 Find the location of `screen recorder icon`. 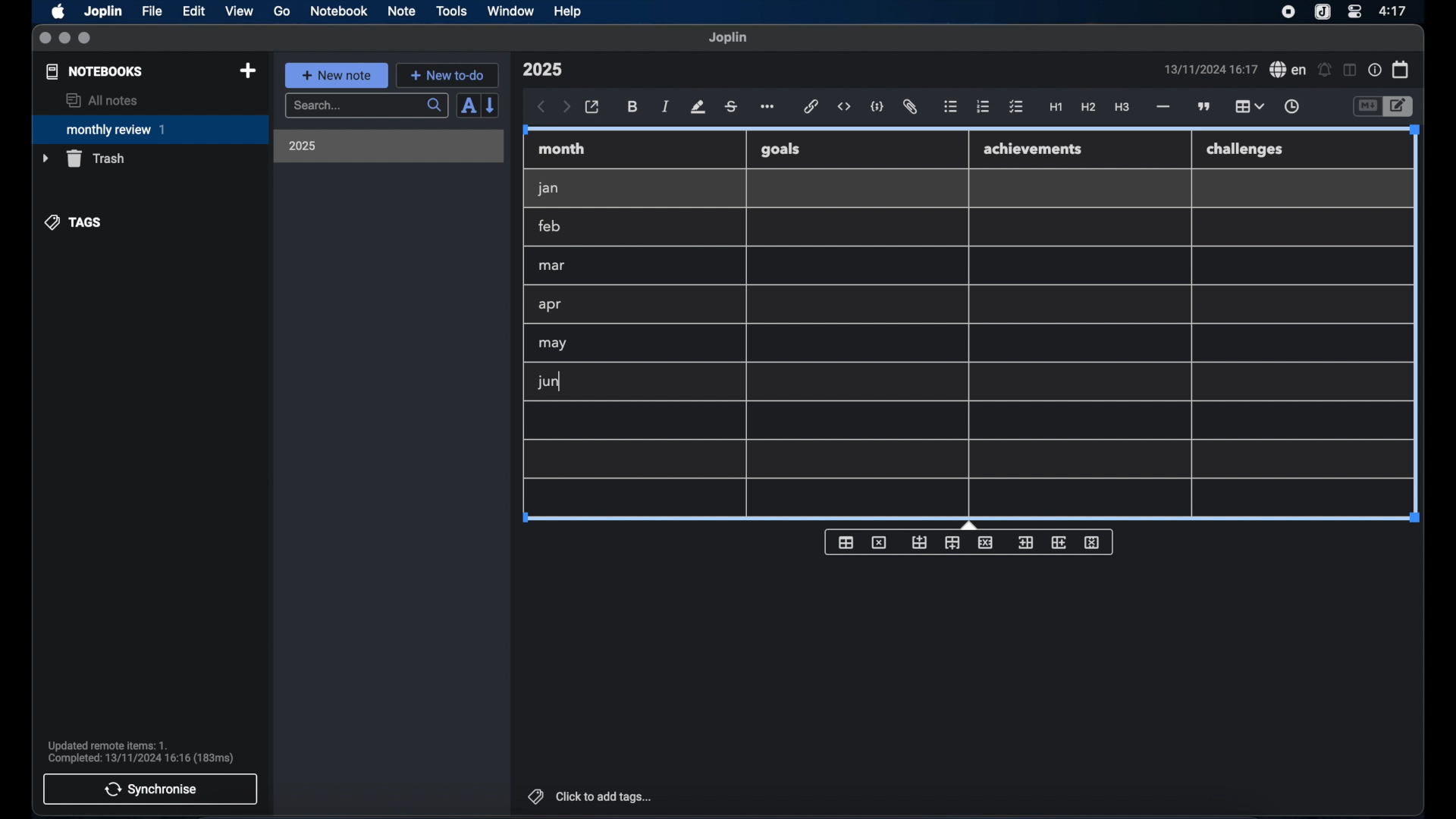

screen recorder icon is located at coordinates (1288, 12).